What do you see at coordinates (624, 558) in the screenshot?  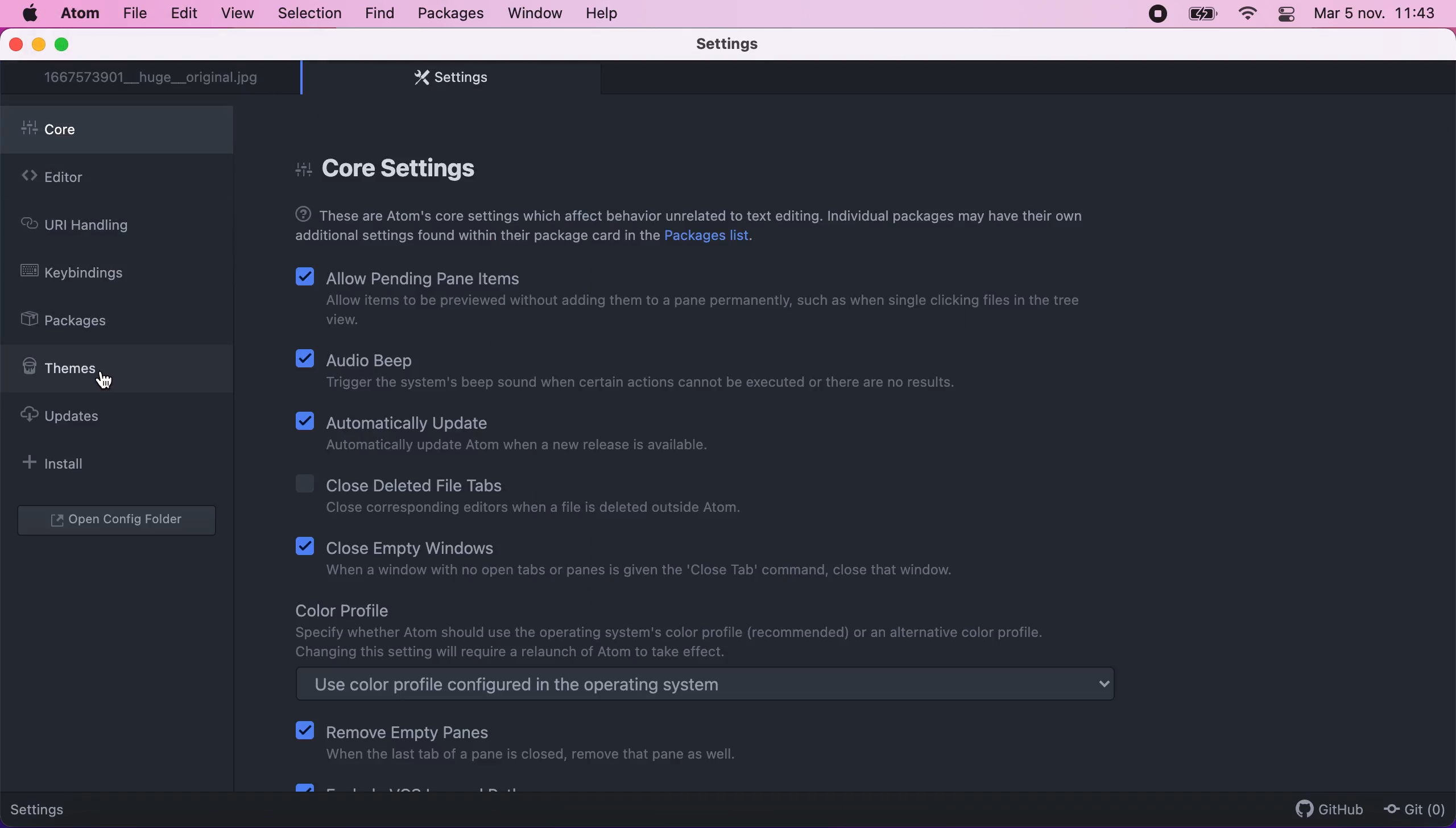 I see `Close Empty Windows | When a window with no open tabs or panes is given the 'Close Tab' command, close that window.` at bounding box center [624, 558].